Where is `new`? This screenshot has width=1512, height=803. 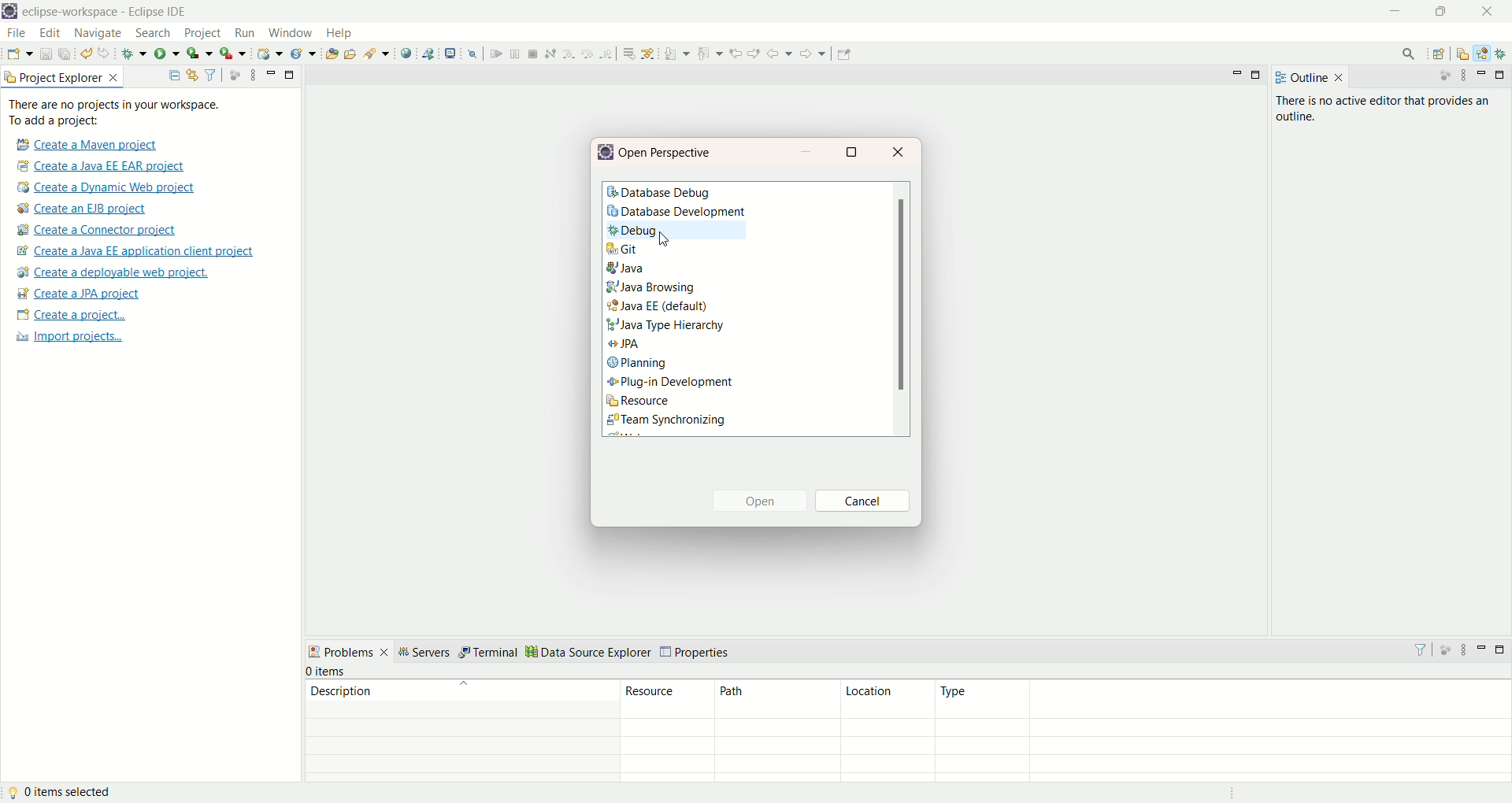 new is located at coordinates (17, 54).